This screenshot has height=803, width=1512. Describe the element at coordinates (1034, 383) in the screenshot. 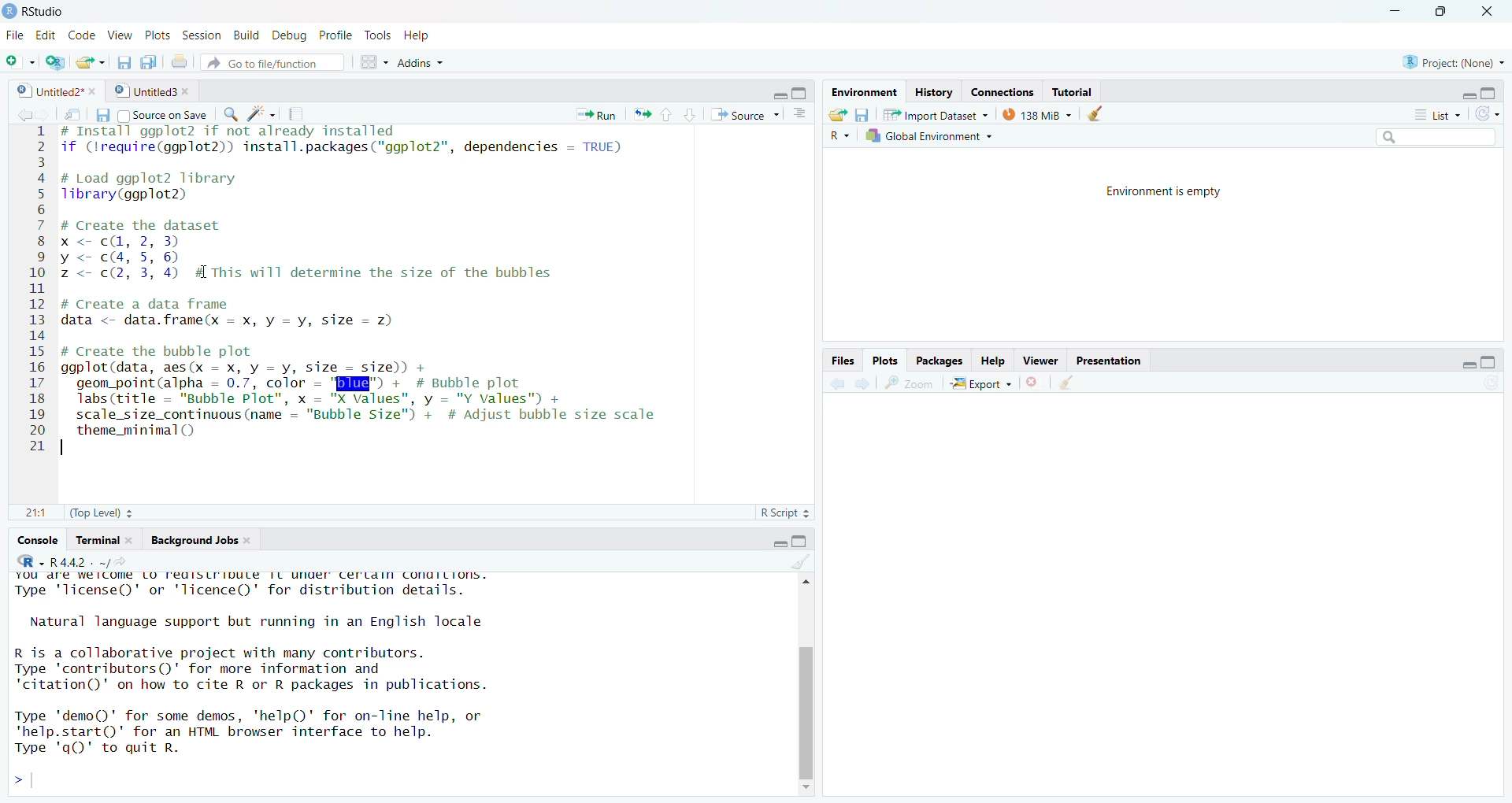

I see `remove all viewers` at that location.